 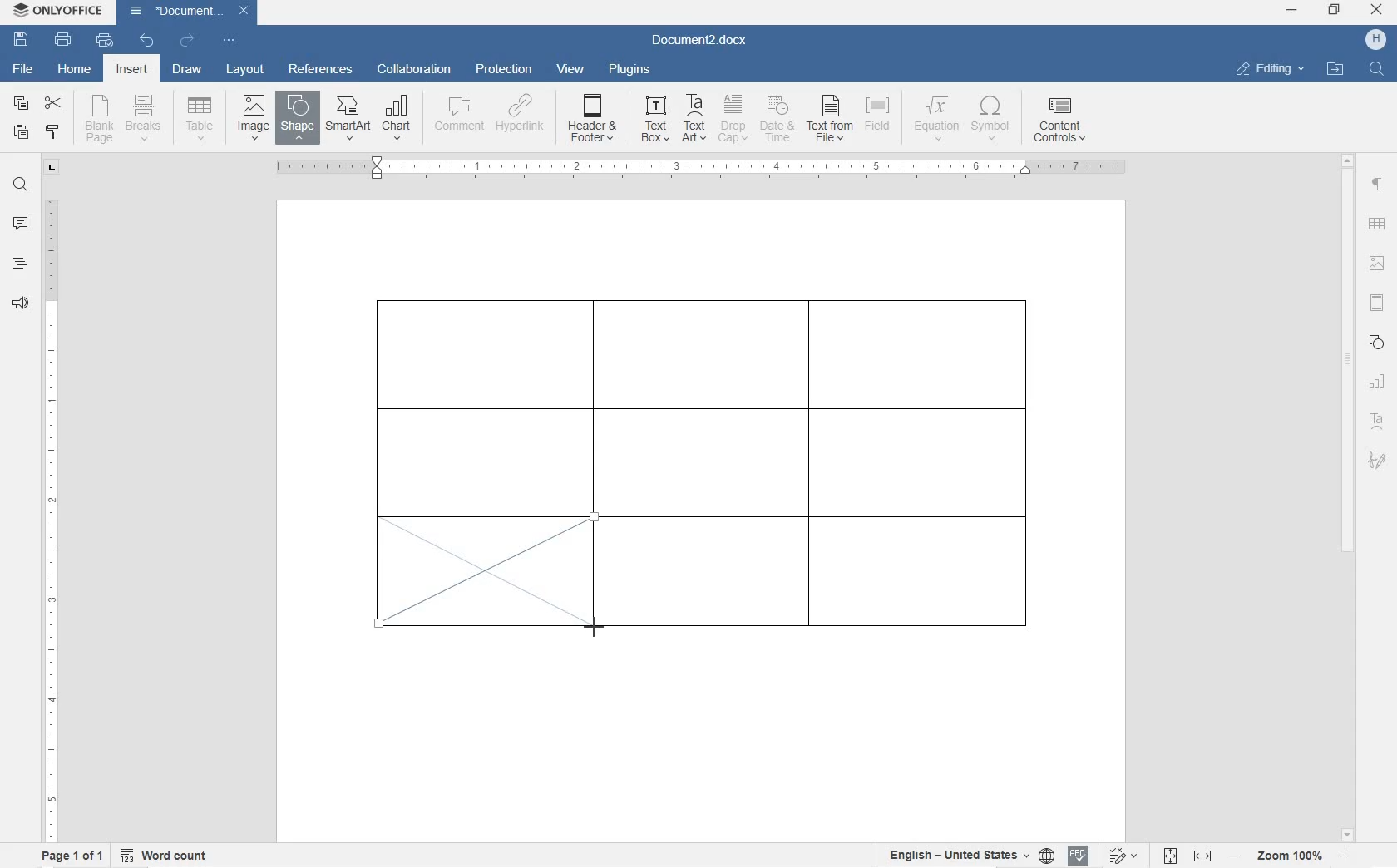 I want to click on find, so click(x=22, y=186).